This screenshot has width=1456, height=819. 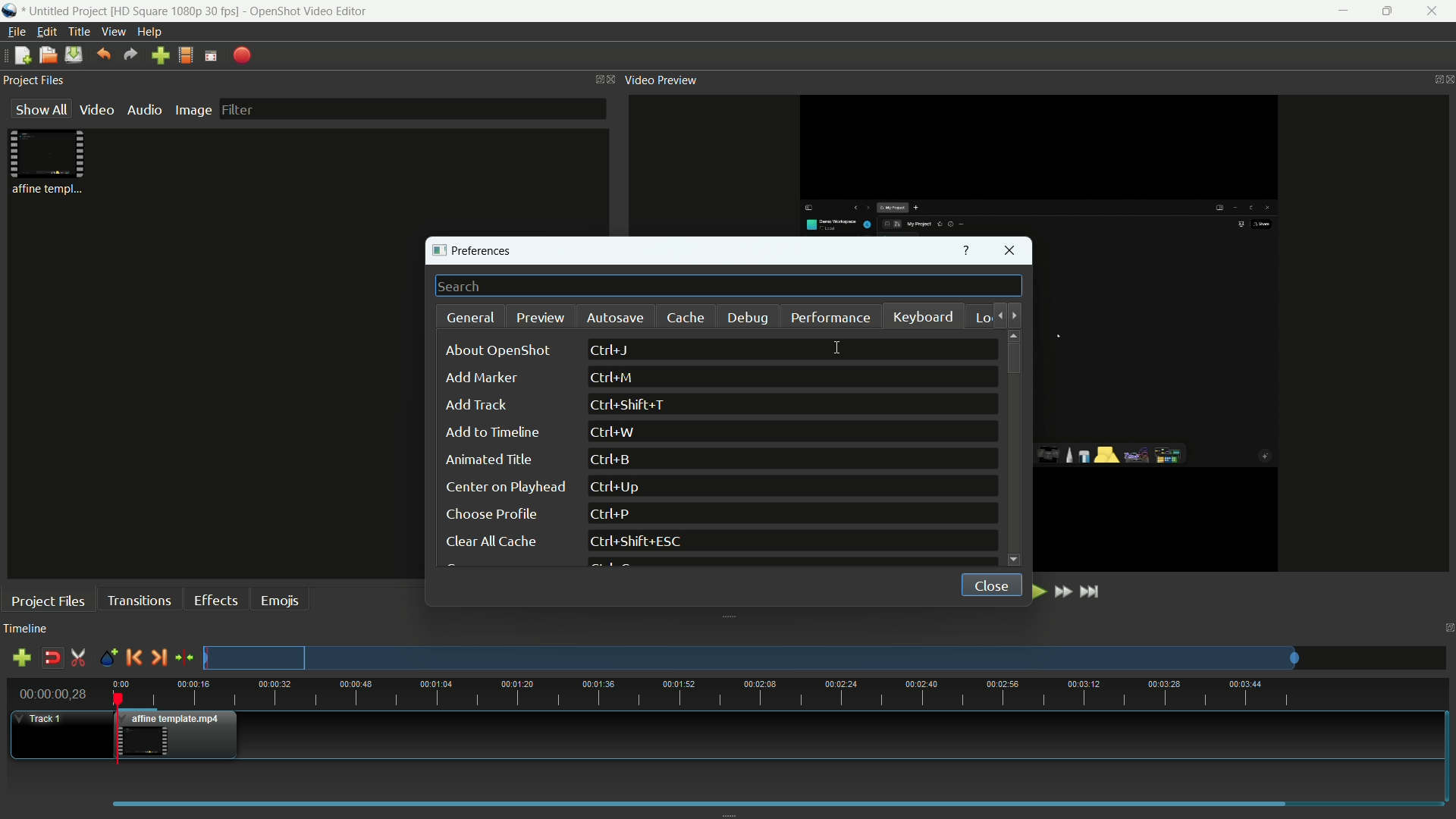 I want to click on redo, so click(x=131, y=55).